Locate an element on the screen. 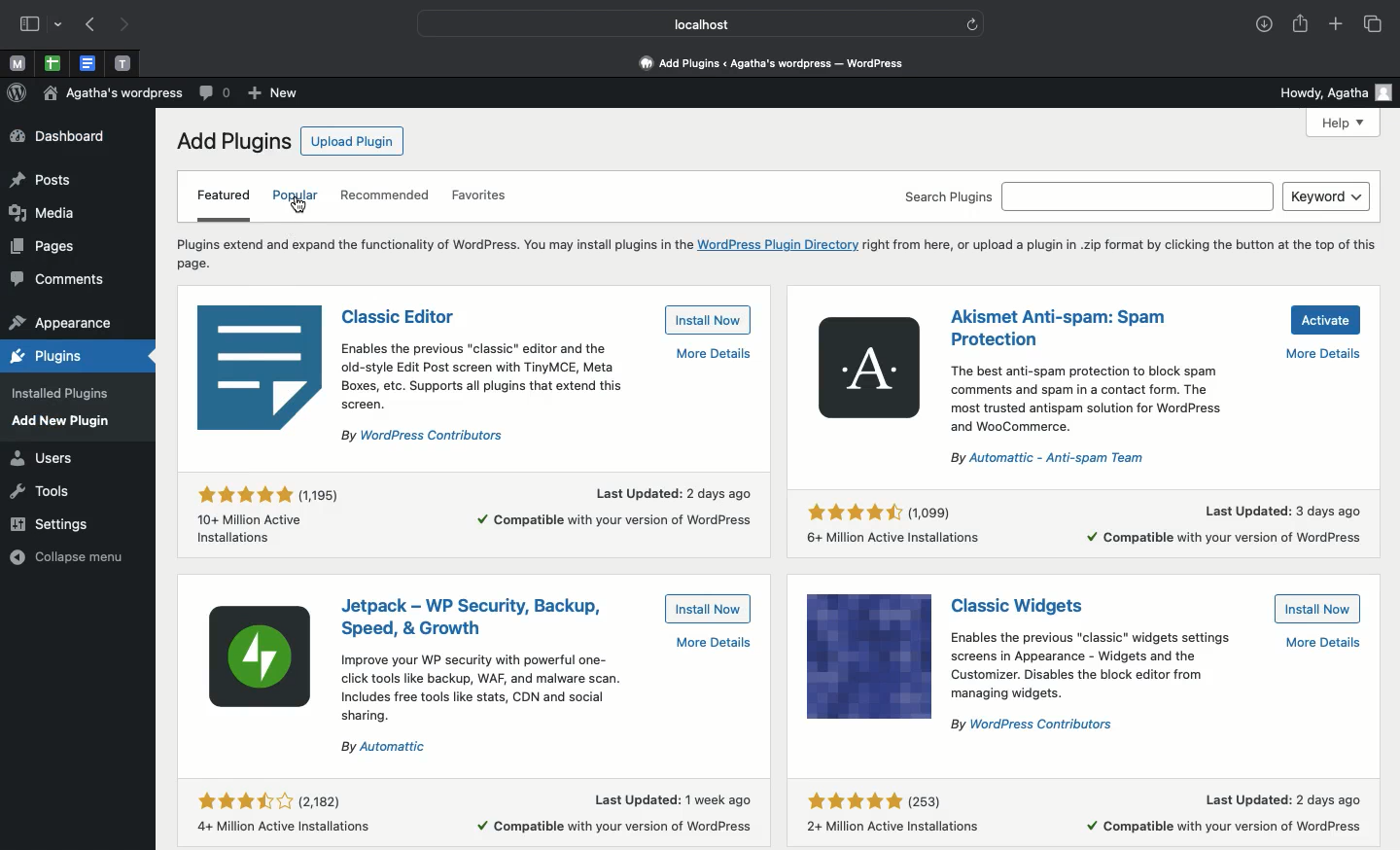  Instructional text is located at coordinates (775, 253).